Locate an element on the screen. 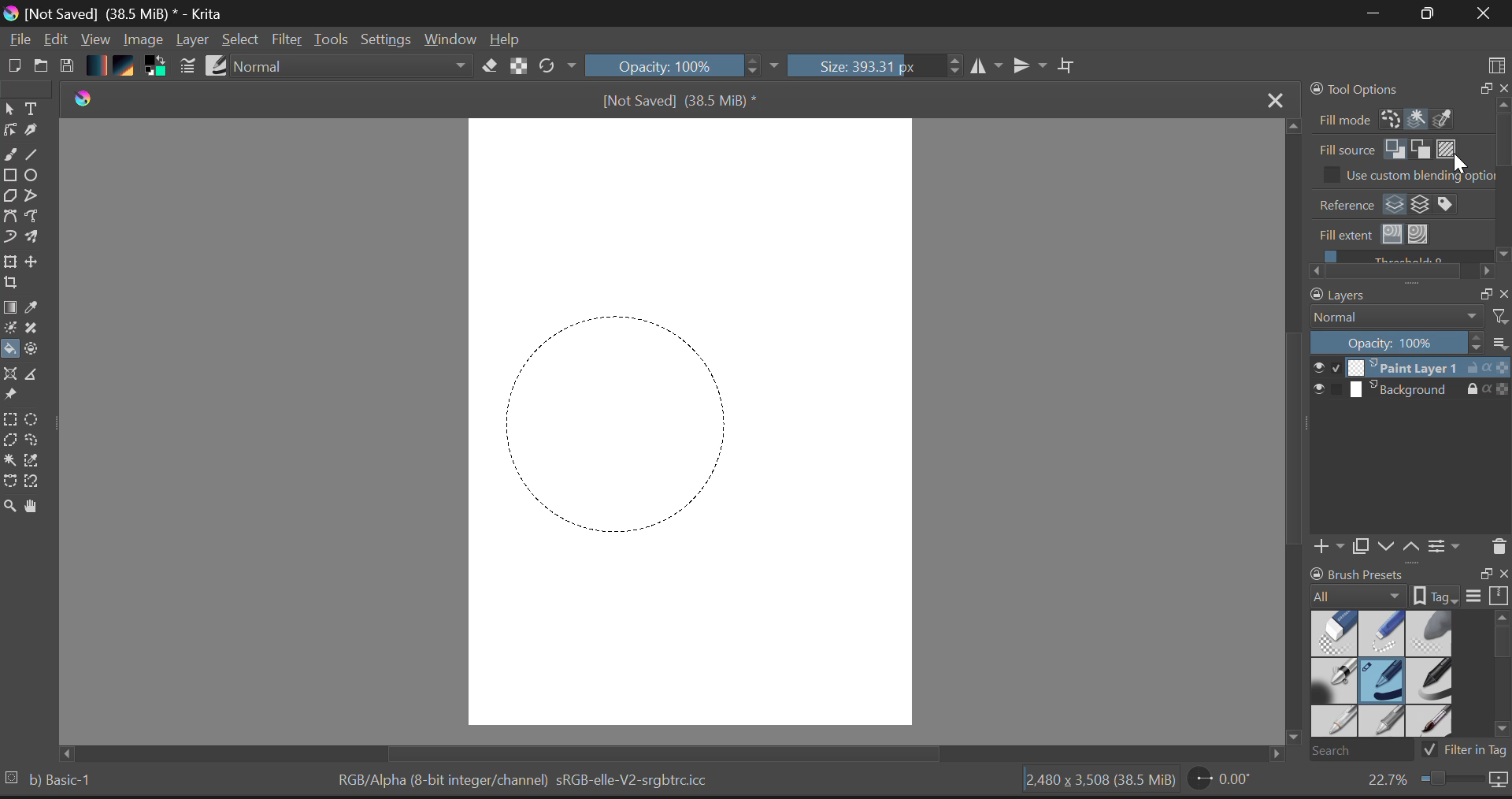  Brush Presets Docker is located at coordinates (1406, 662).